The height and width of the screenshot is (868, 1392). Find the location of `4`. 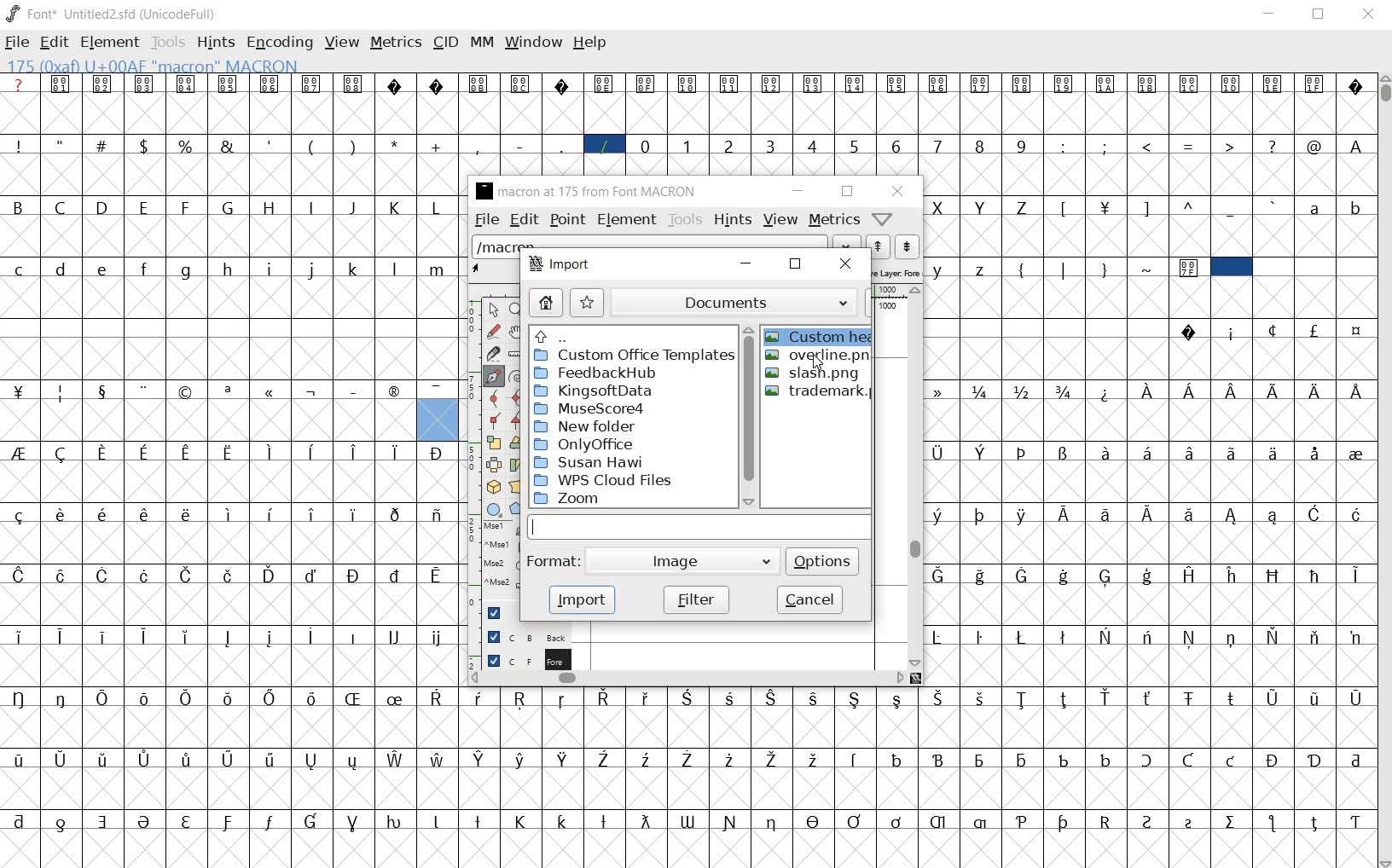

4 is located at coordinates (815, 147).